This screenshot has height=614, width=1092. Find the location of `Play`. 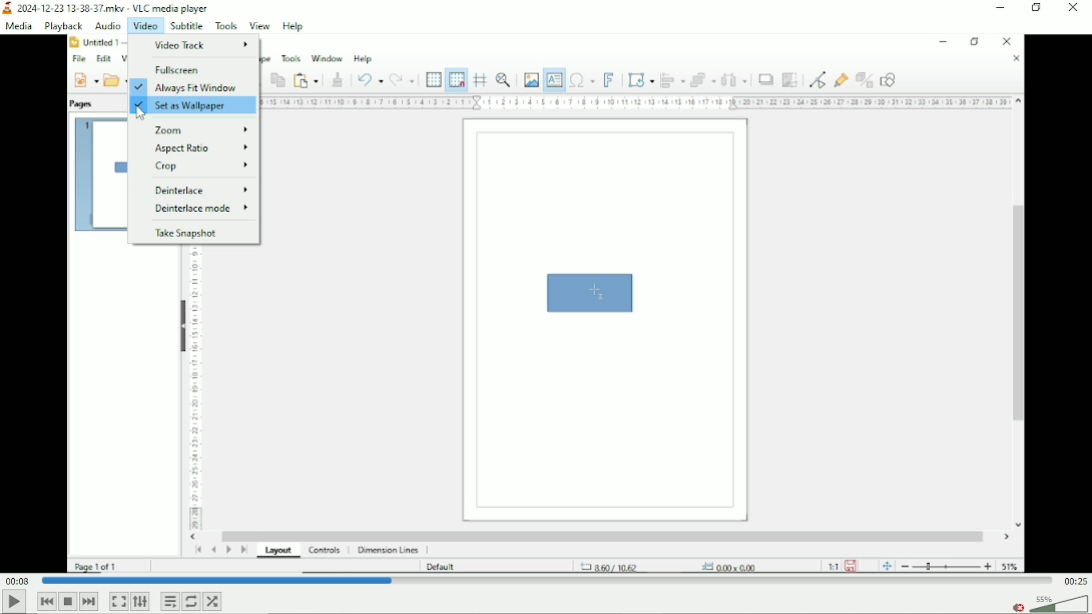

Play is located at coordinates (14, 603).